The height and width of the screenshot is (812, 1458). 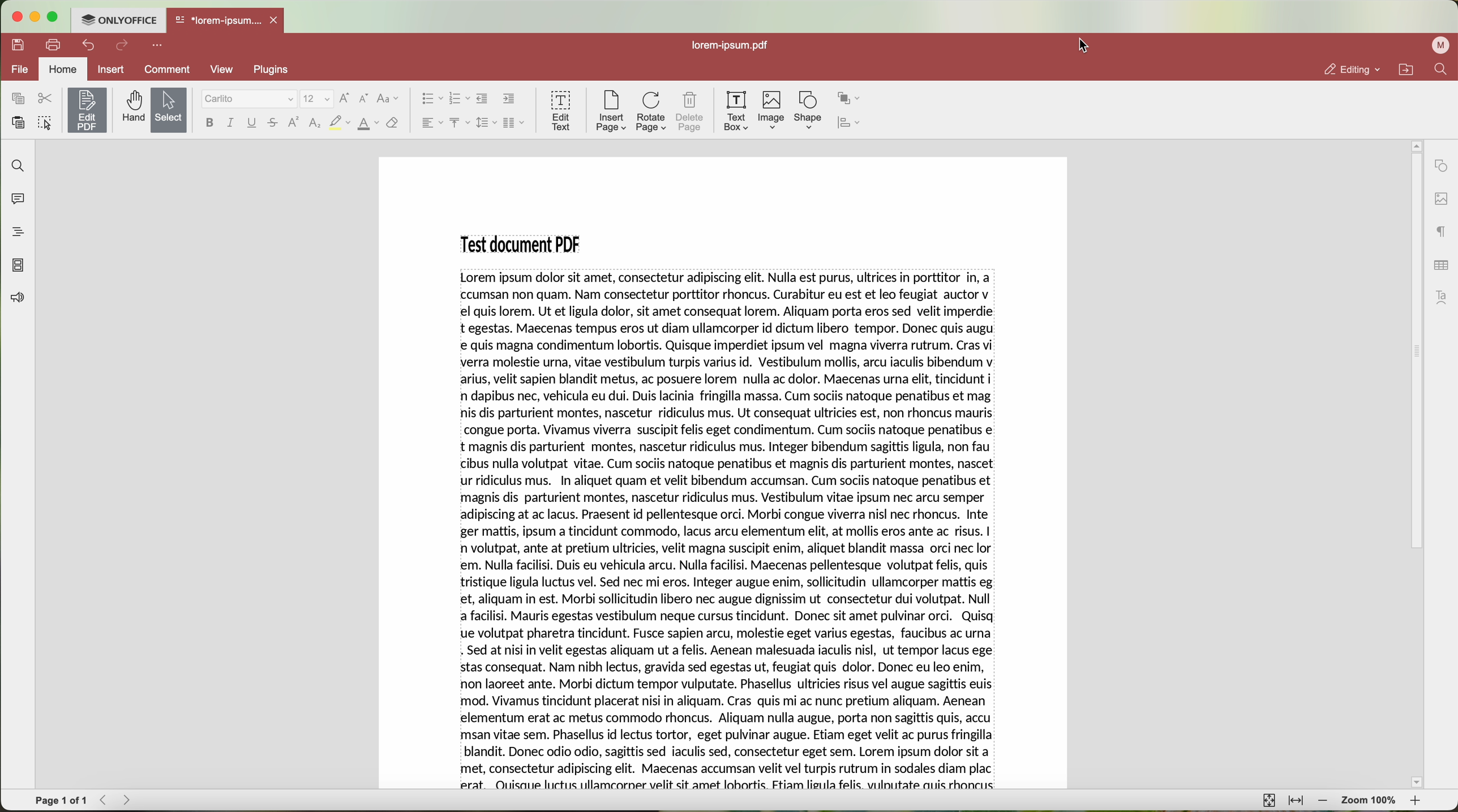 I want to click on superscript, so click(x=295, y=123).